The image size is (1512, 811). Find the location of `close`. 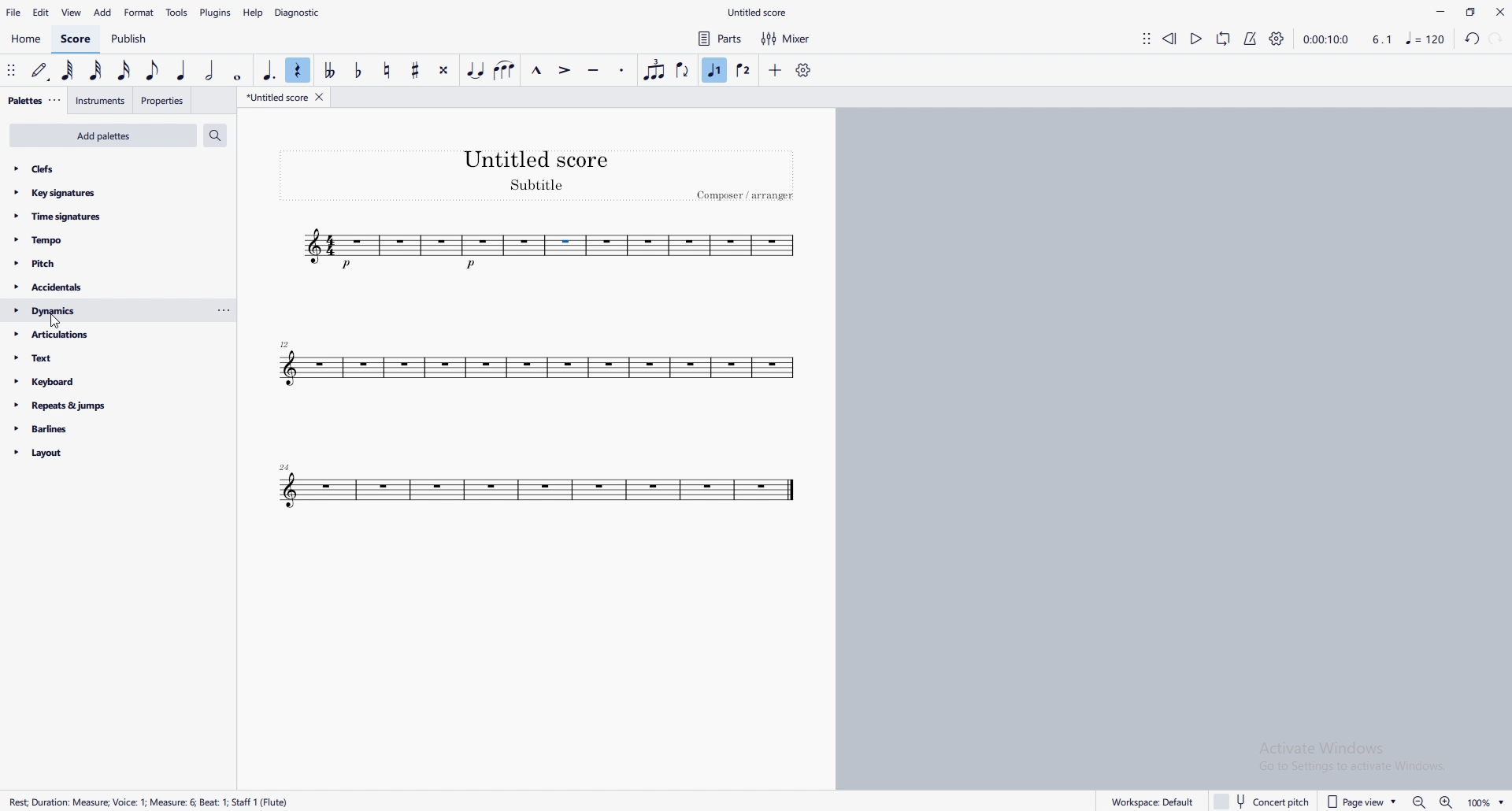

close is located at coordinates (1500, 12).